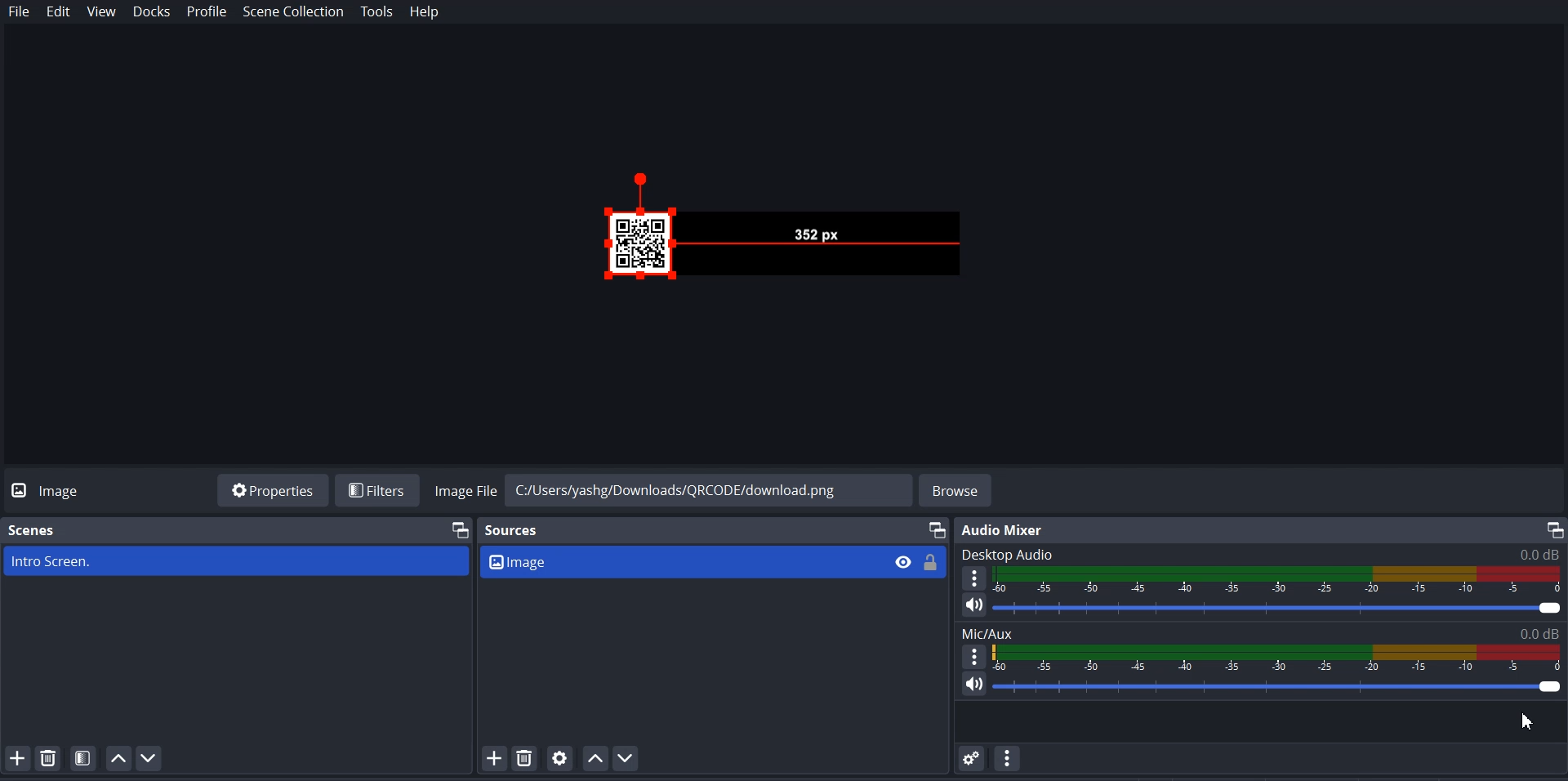 The height and width of the screenshot is (781, 1568). I want to click on More, so click(973, 577).